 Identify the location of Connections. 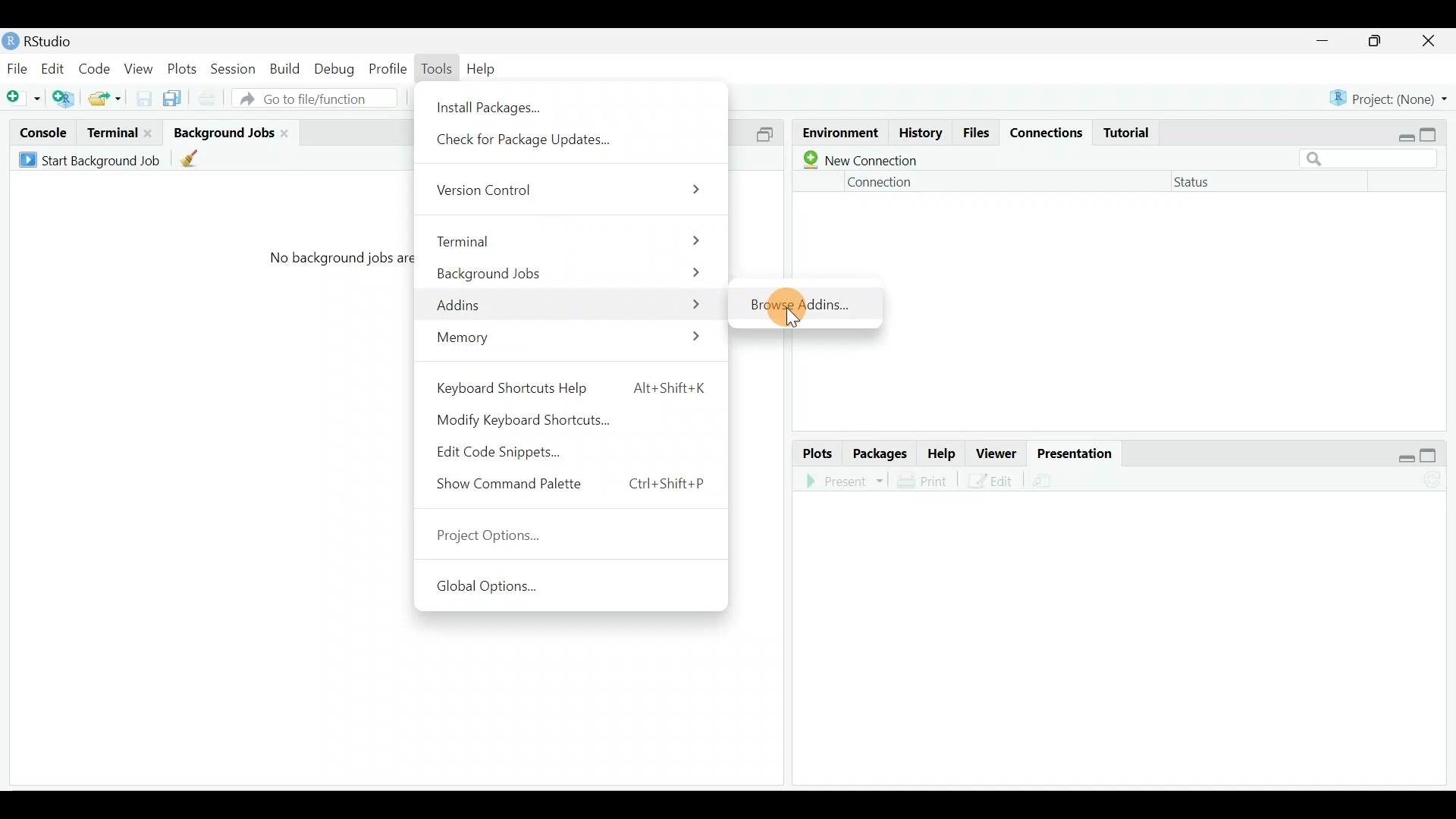
(1047, 133).